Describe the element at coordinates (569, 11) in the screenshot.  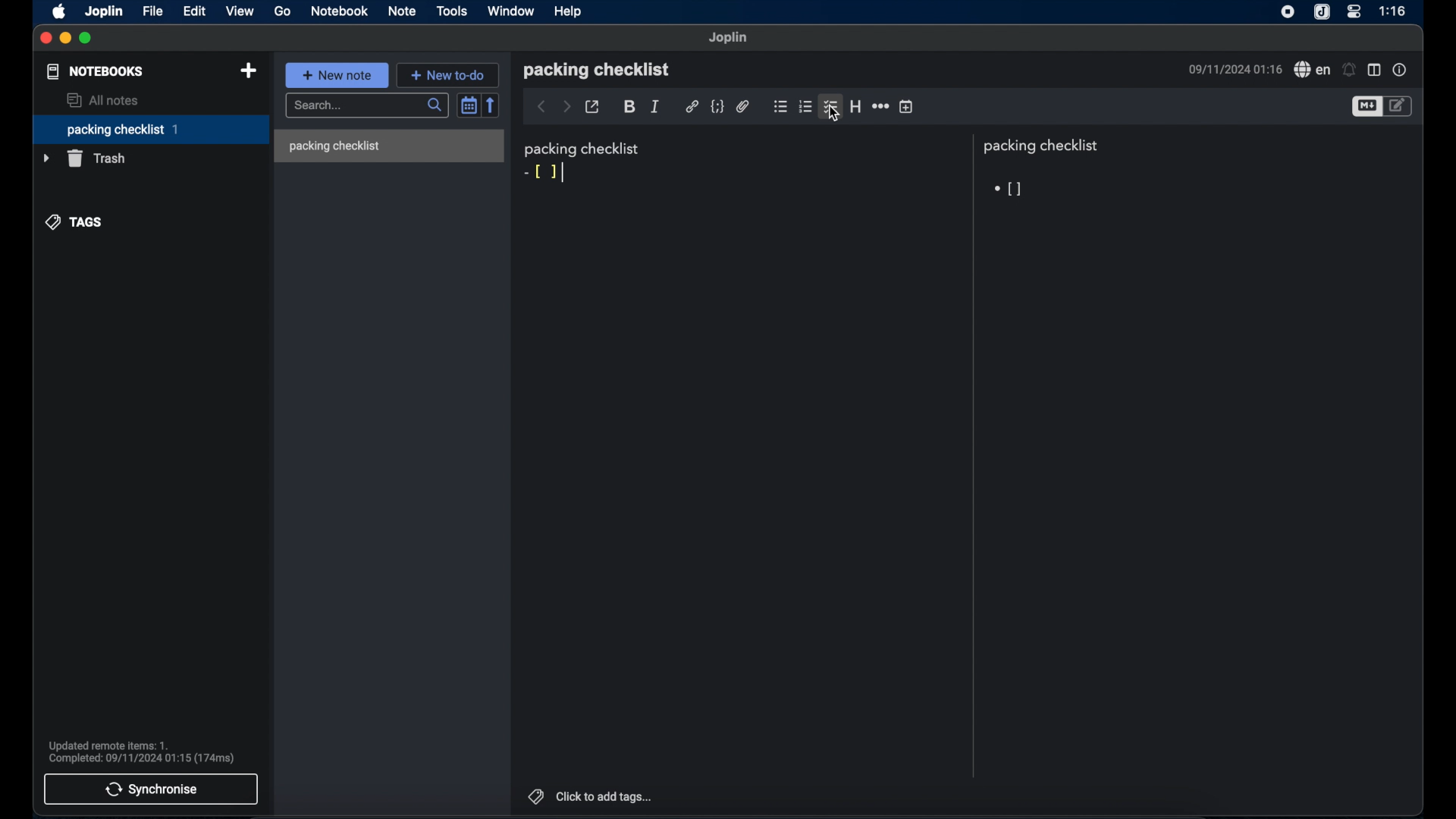
I see `help` at that location.